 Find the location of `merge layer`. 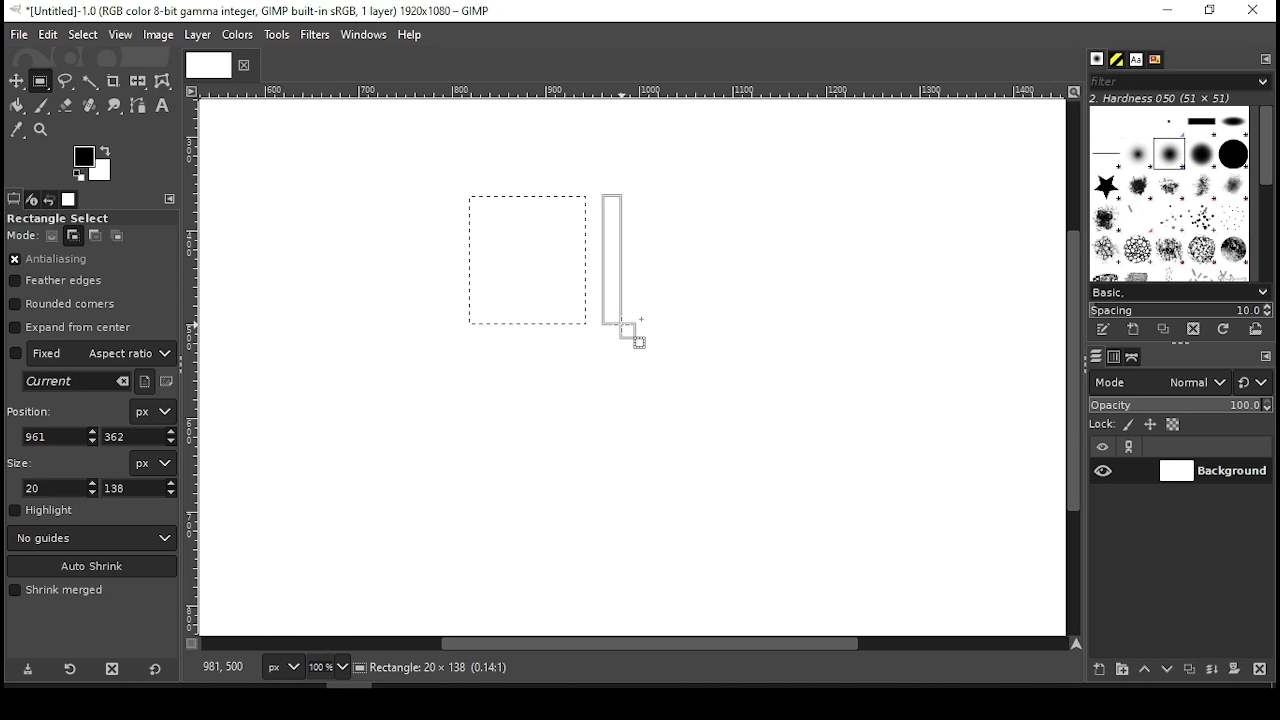

merge layer is located at coordinates (1212, 670).